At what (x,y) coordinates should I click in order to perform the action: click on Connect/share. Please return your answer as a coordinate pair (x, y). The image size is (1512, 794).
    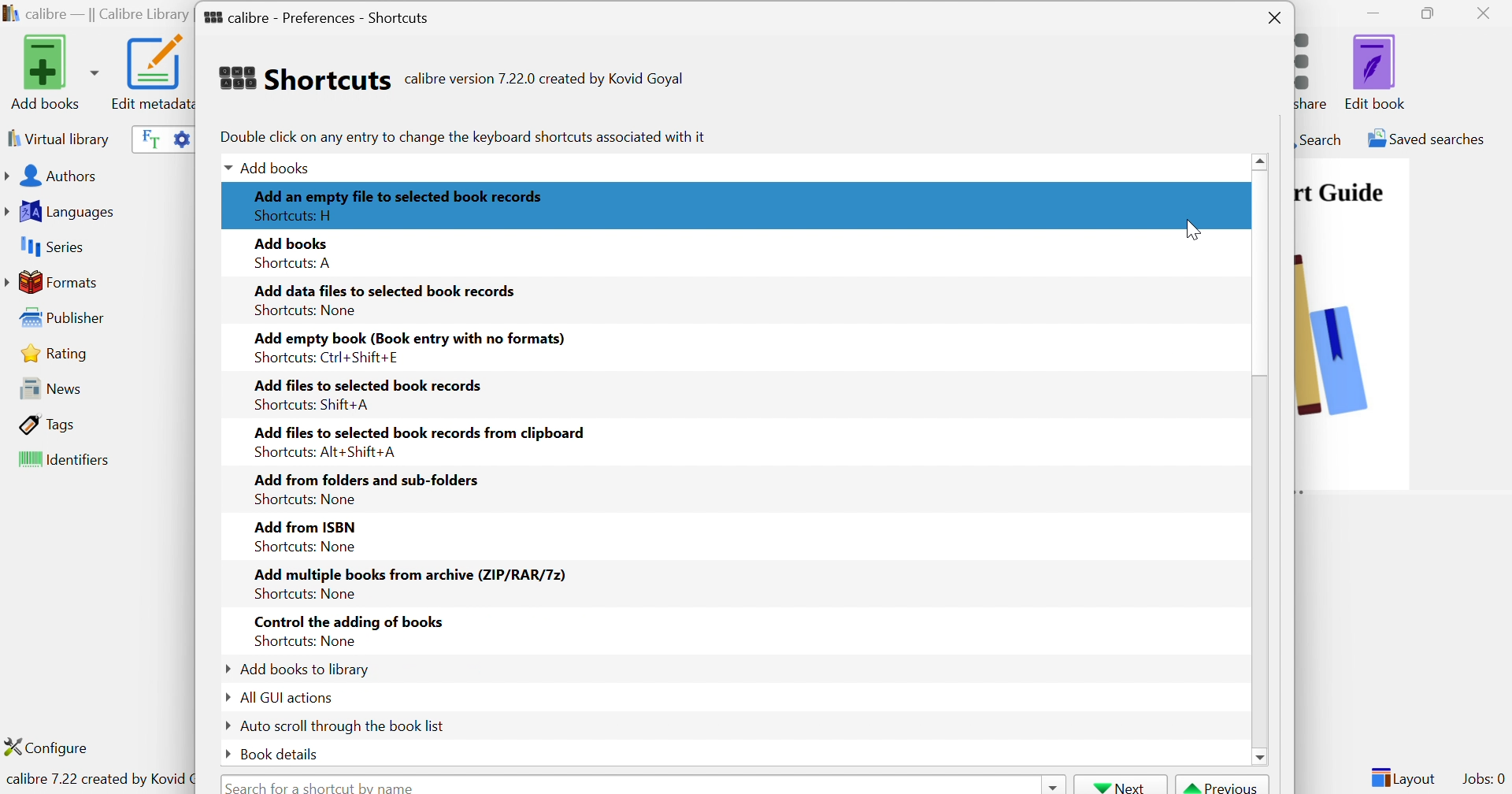
    Looking at the image, I should click on (1316, 68).